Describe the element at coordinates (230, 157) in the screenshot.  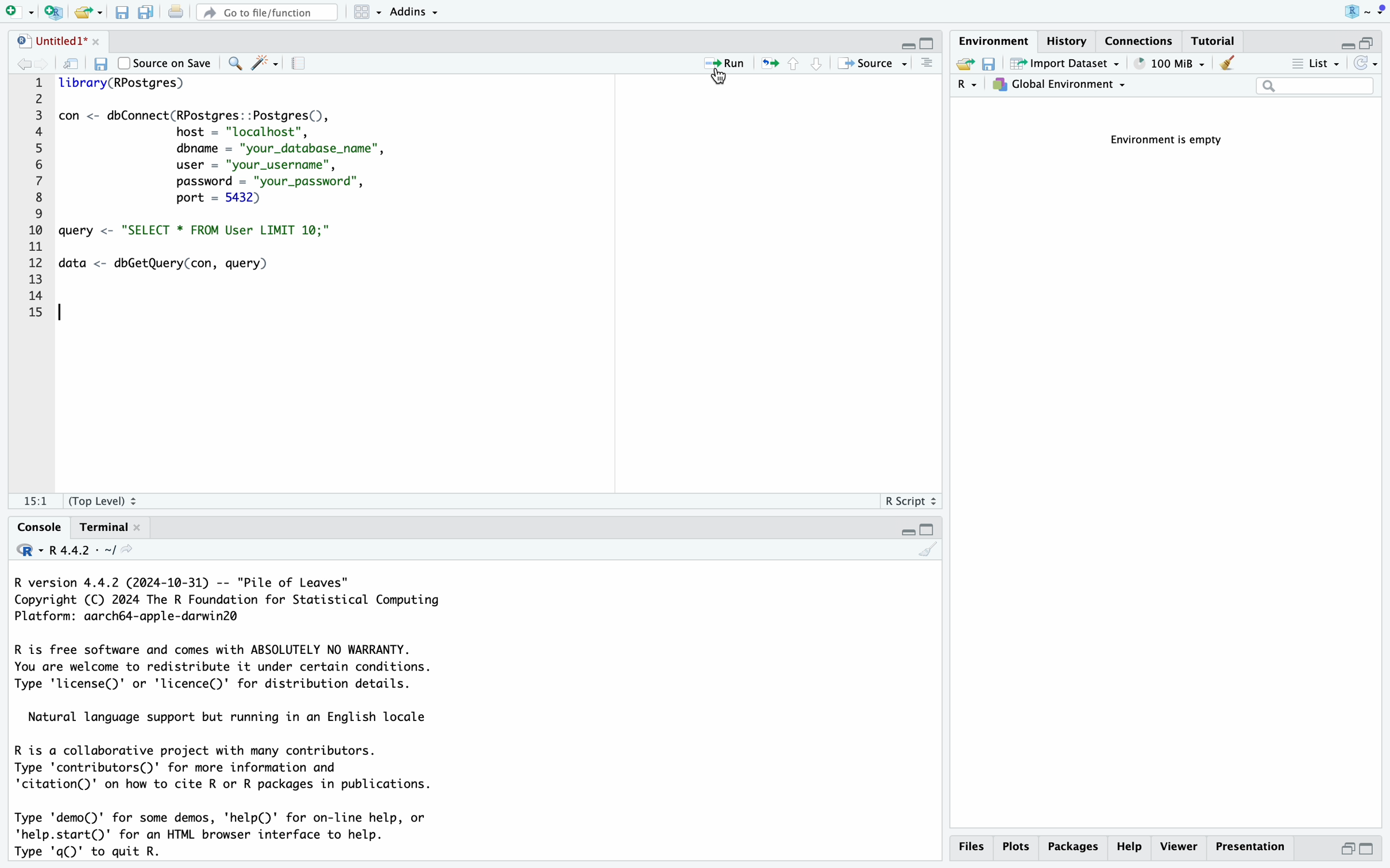
I see `code for database connect` at that location.